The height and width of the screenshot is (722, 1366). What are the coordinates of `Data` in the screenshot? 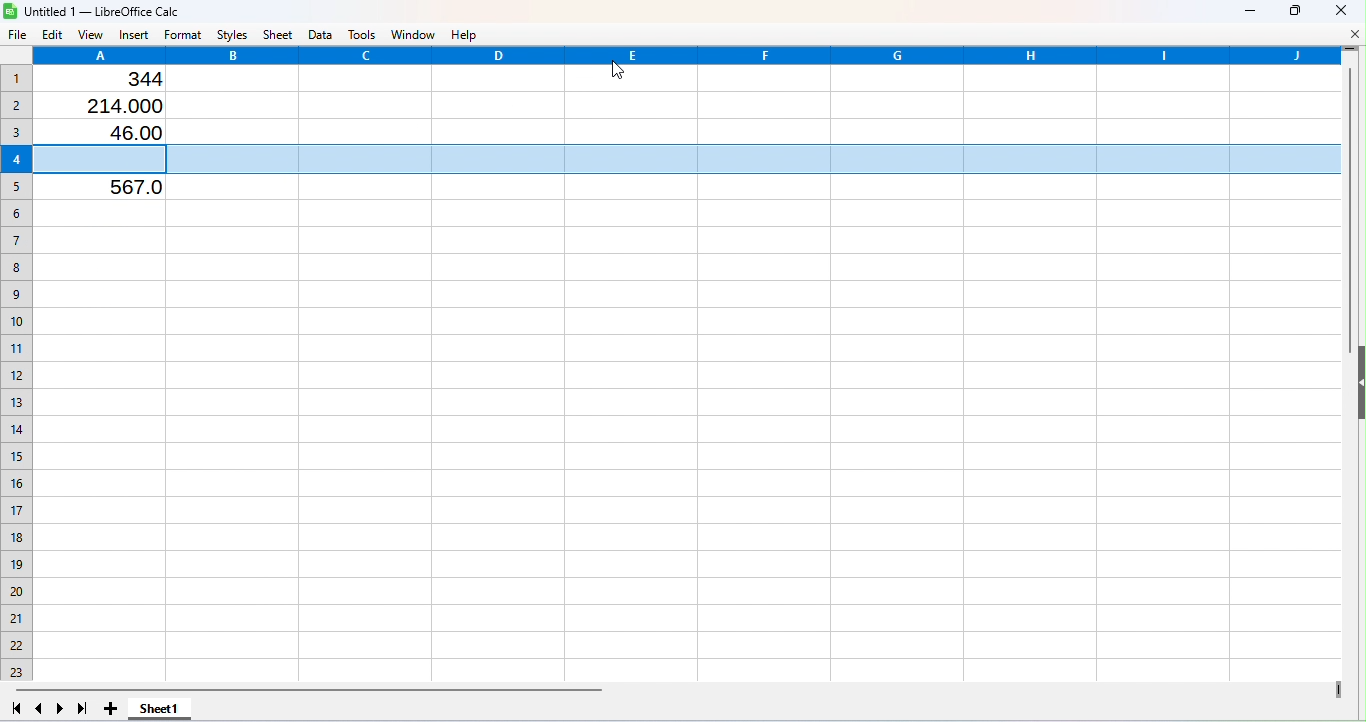 It's located at (322, 34).